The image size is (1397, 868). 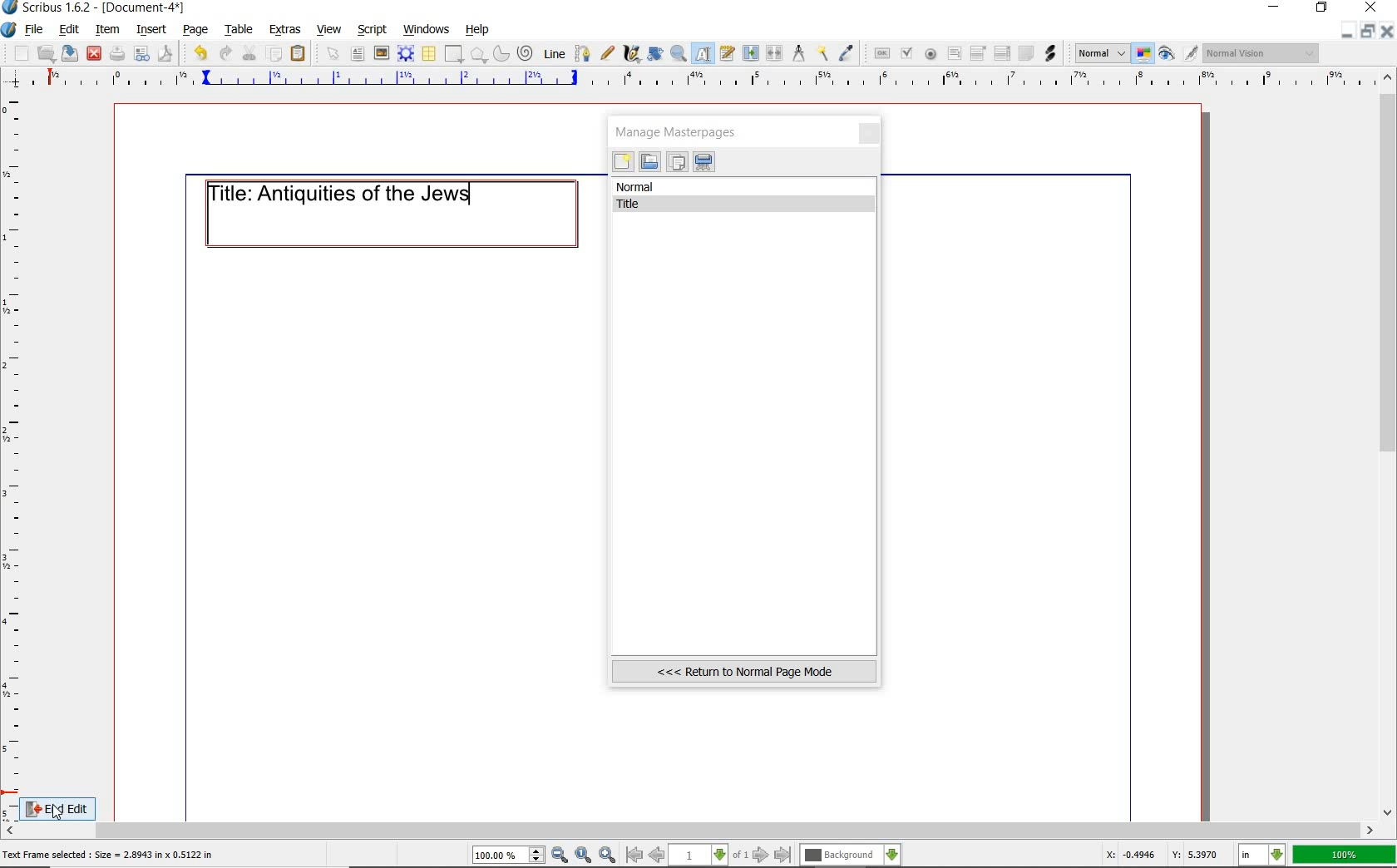 What do you see at coordinates (744, 671) in the screenshot?
I see `Return to normal page mode` at bounding box center [744, 671].